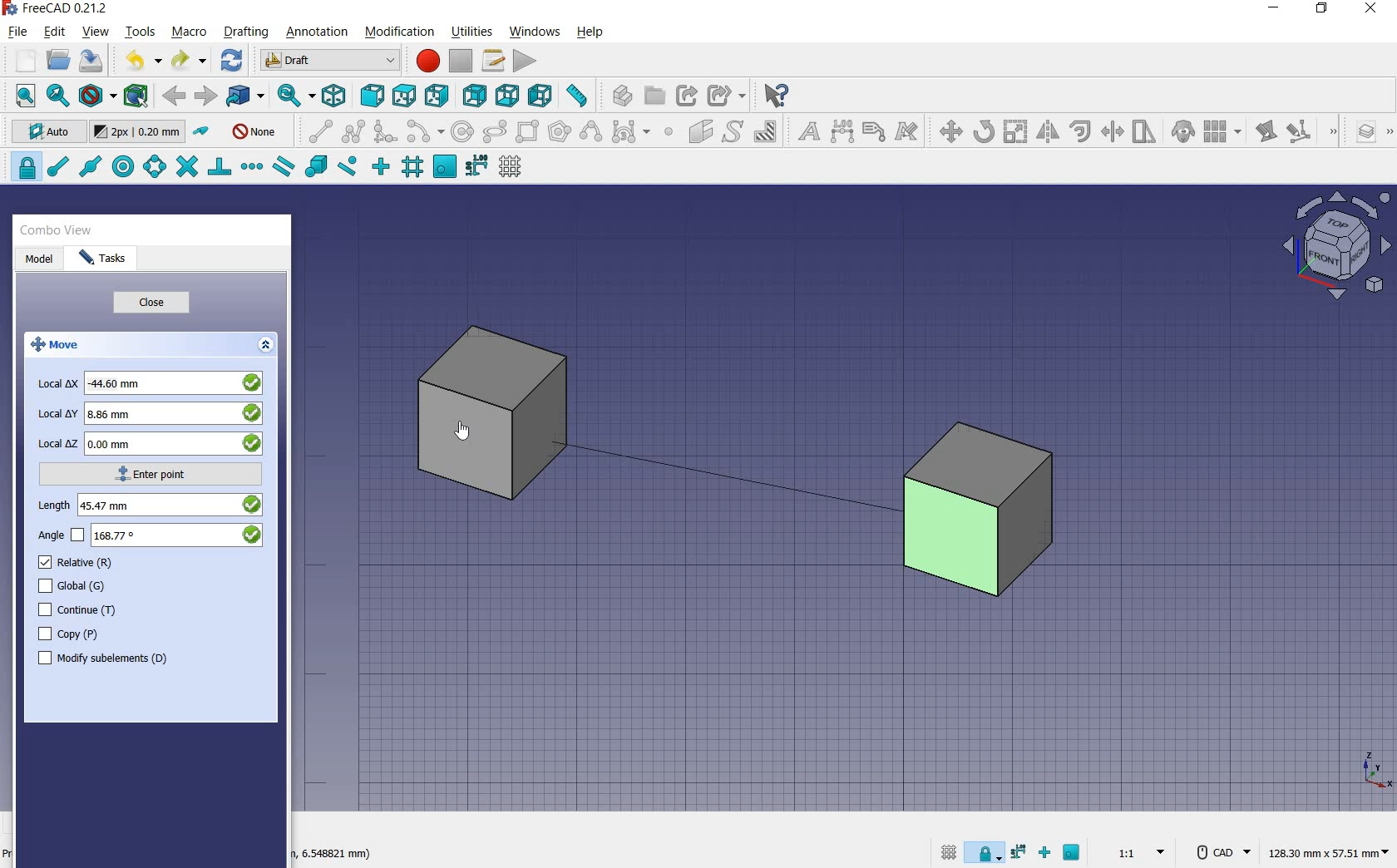 Image resolution: width=1397 pixels, height=868 pixels. What do you see at coordinates (509, 169) in the screenshot?
I see `toggle grid` at bounding box center [509, 169].